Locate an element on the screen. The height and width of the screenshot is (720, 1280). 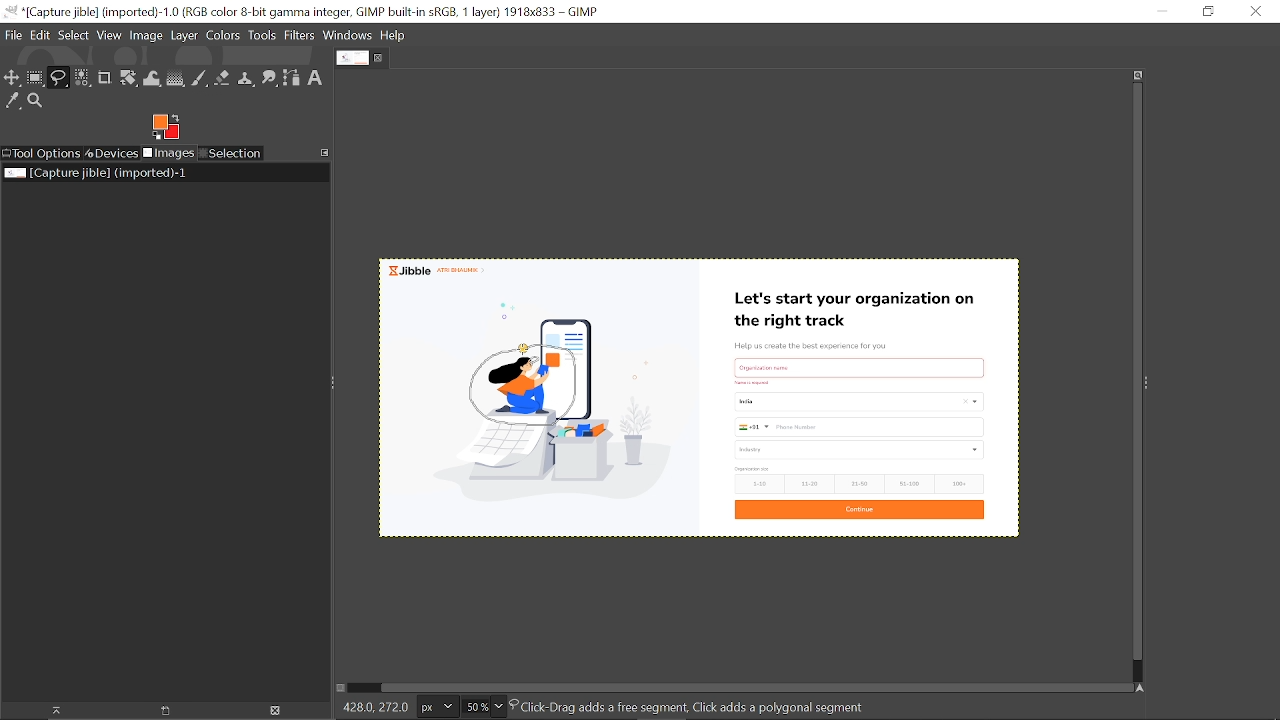
Cursor here is located at coordinates (523, 349).